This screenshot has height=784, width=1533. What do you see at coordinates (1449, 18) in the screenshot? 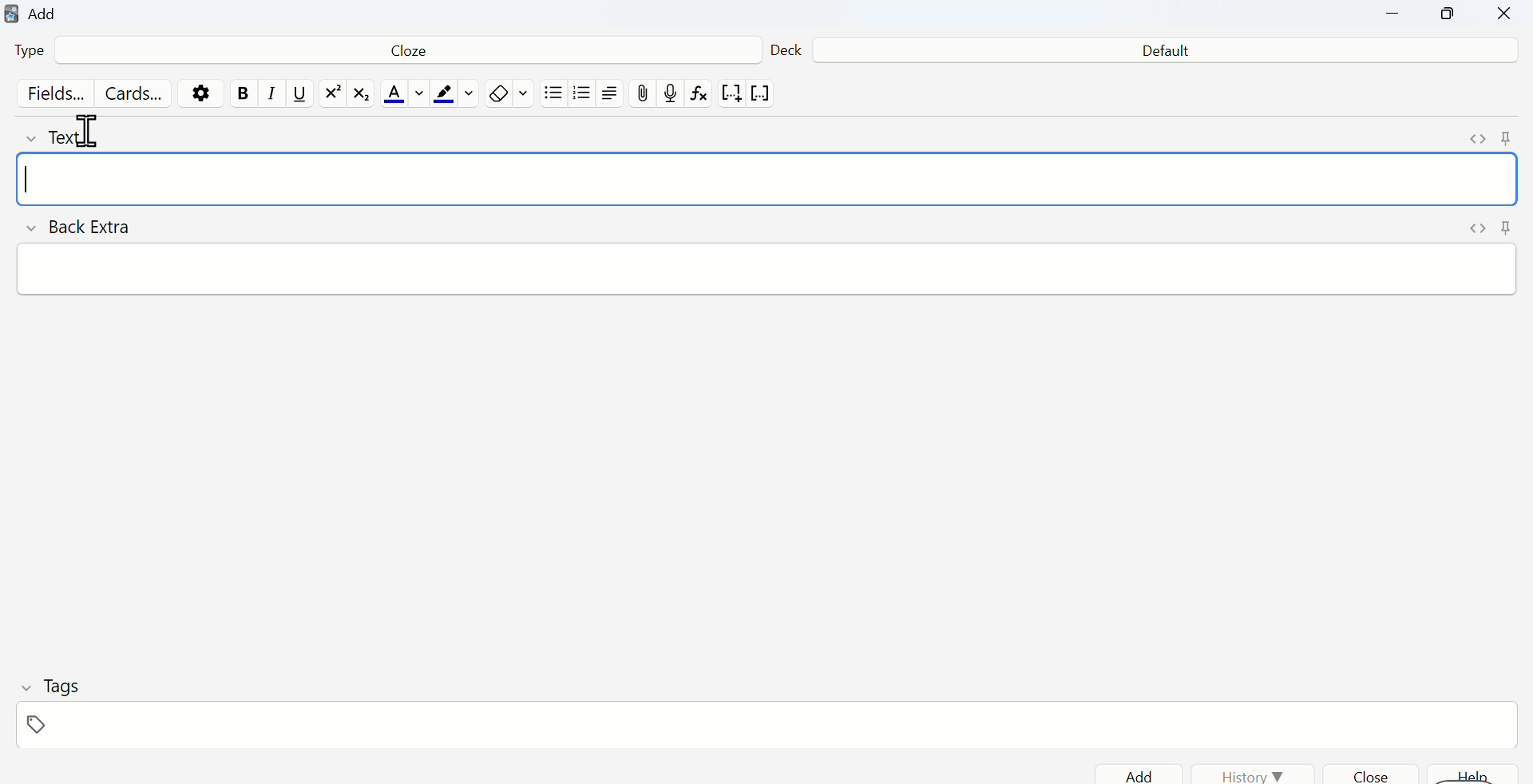
I see `Maximize` at bounding box center [1449, 18].